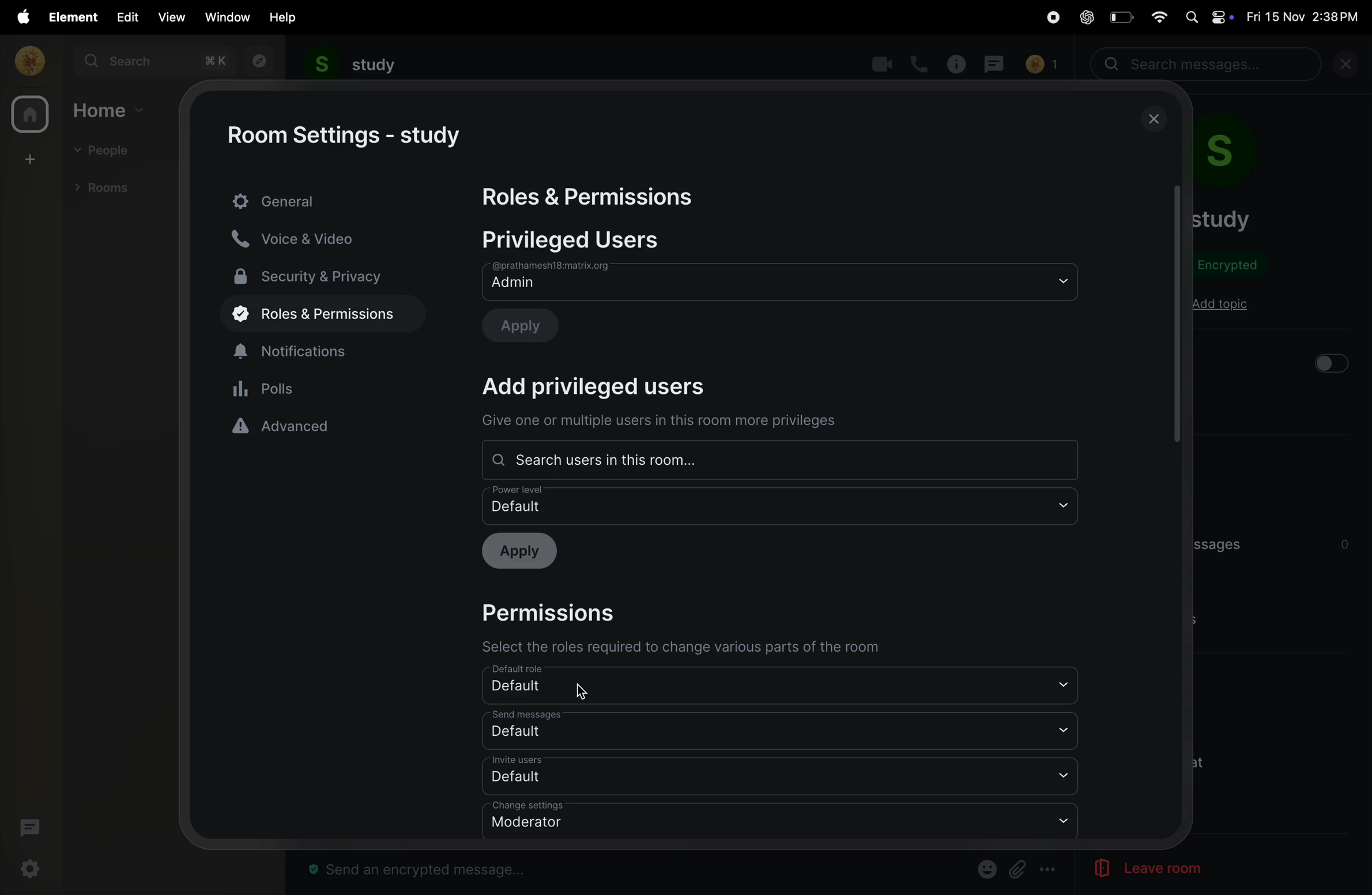 Image resolution: width=1372 pixels, height=895 pixels. Describe the element at coordinates (29, 116) in the screenshot. I see `home ` at that location.